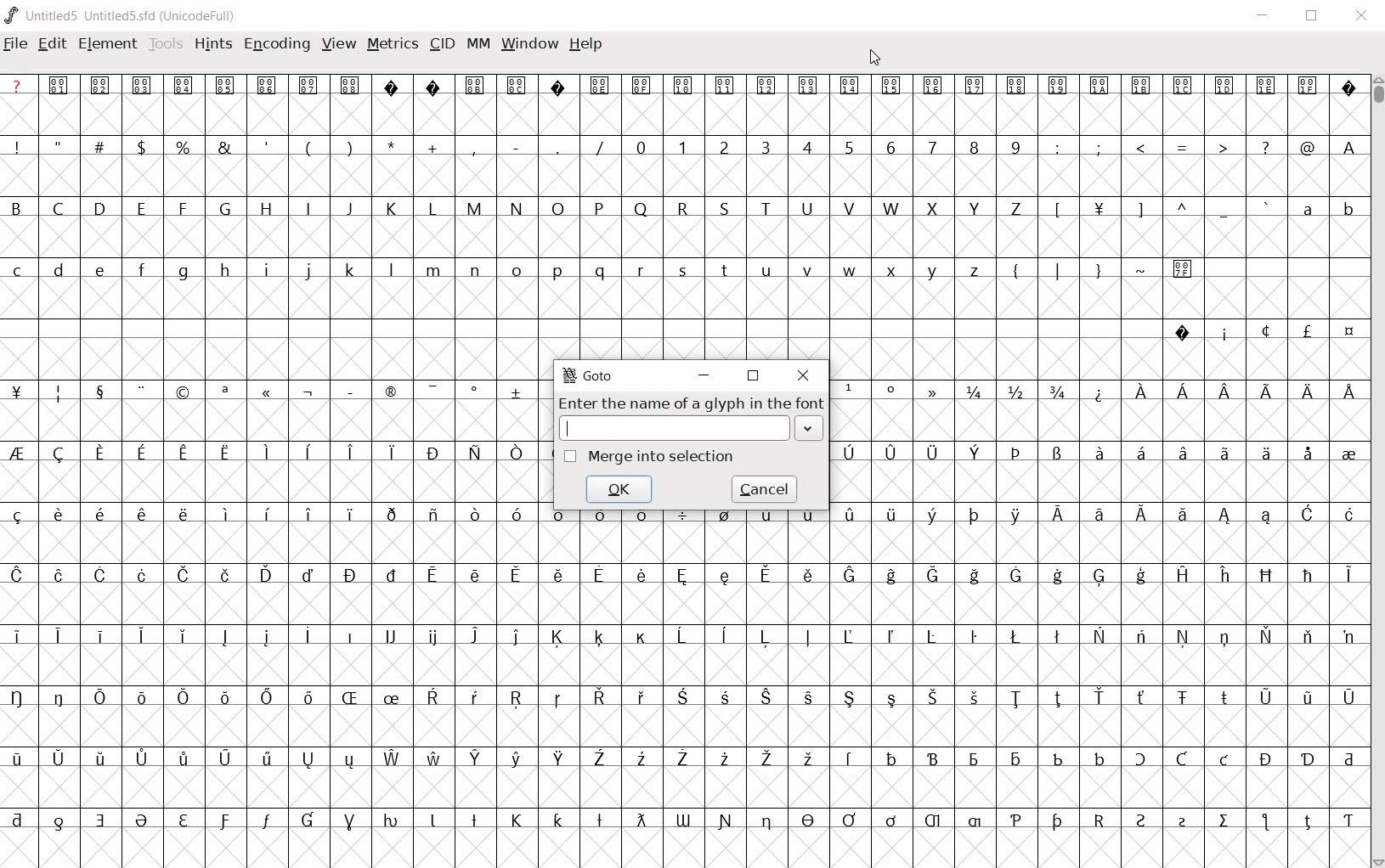 This screenshot has width=1385, height=868. I want to click on 1, so click(681, 146).